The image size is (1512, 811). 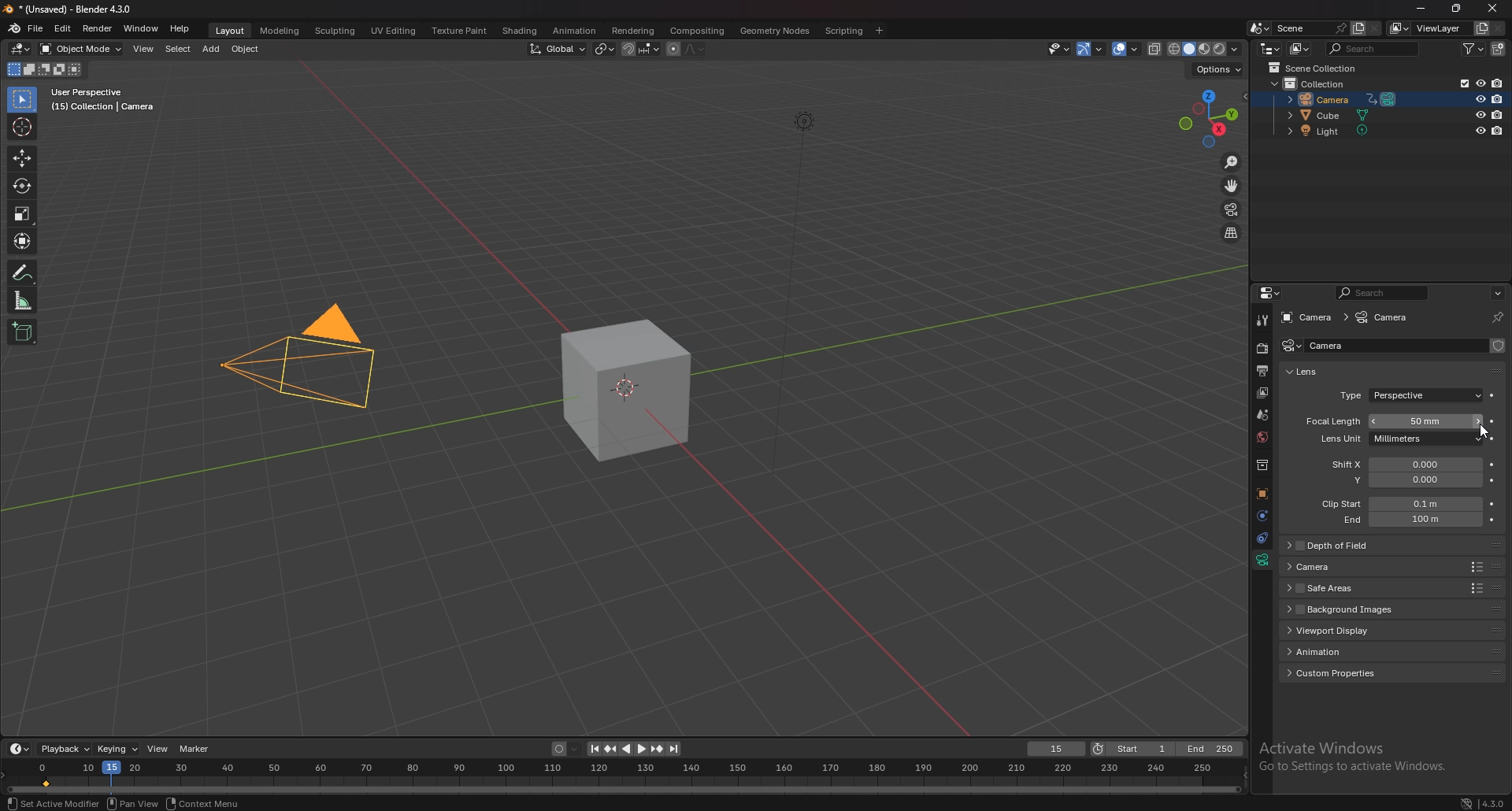 I want to click on transform orientation, so click(x=557, y=49).